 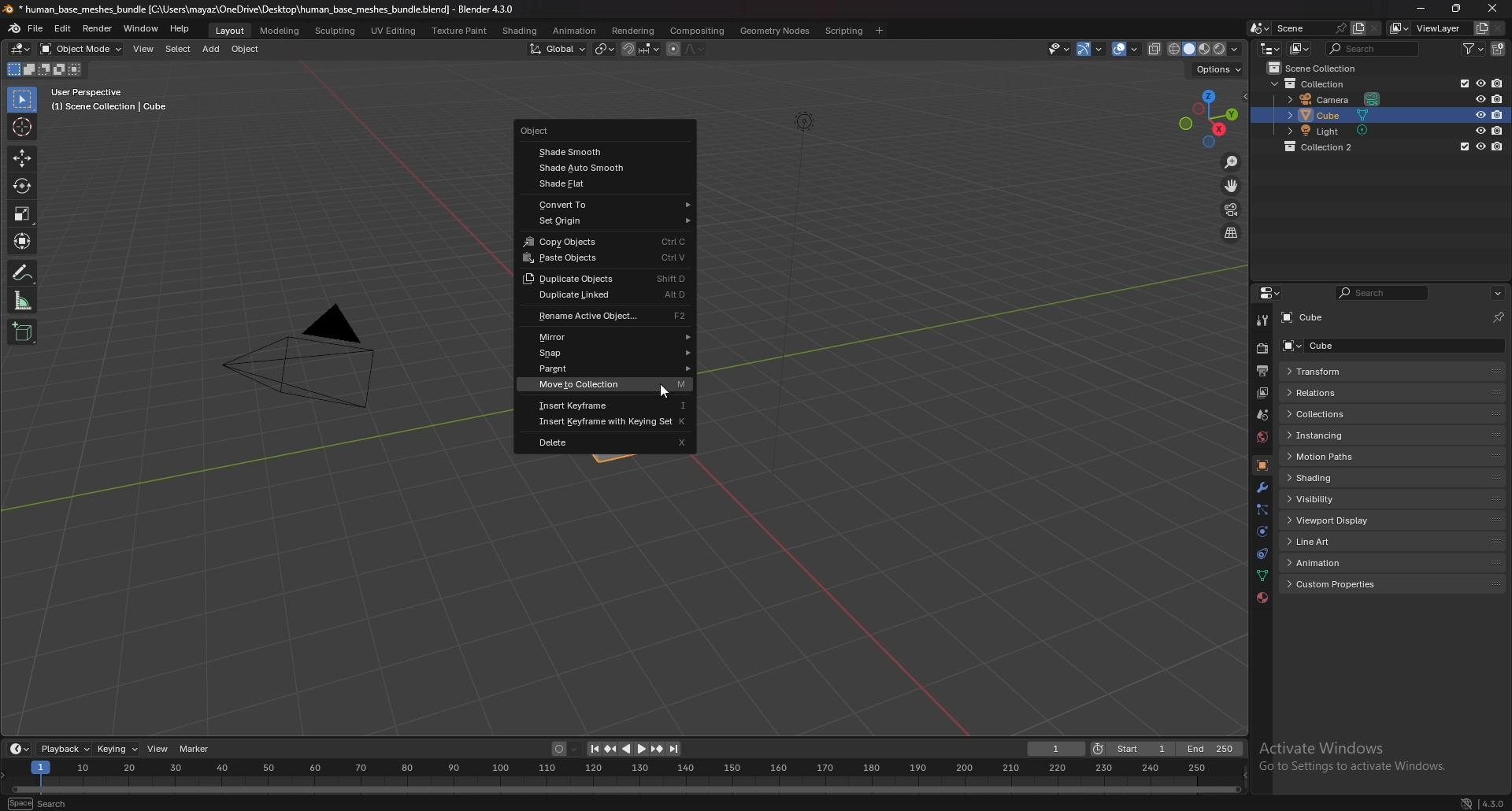 I want to click on set origin, so click(x=607, y=220).